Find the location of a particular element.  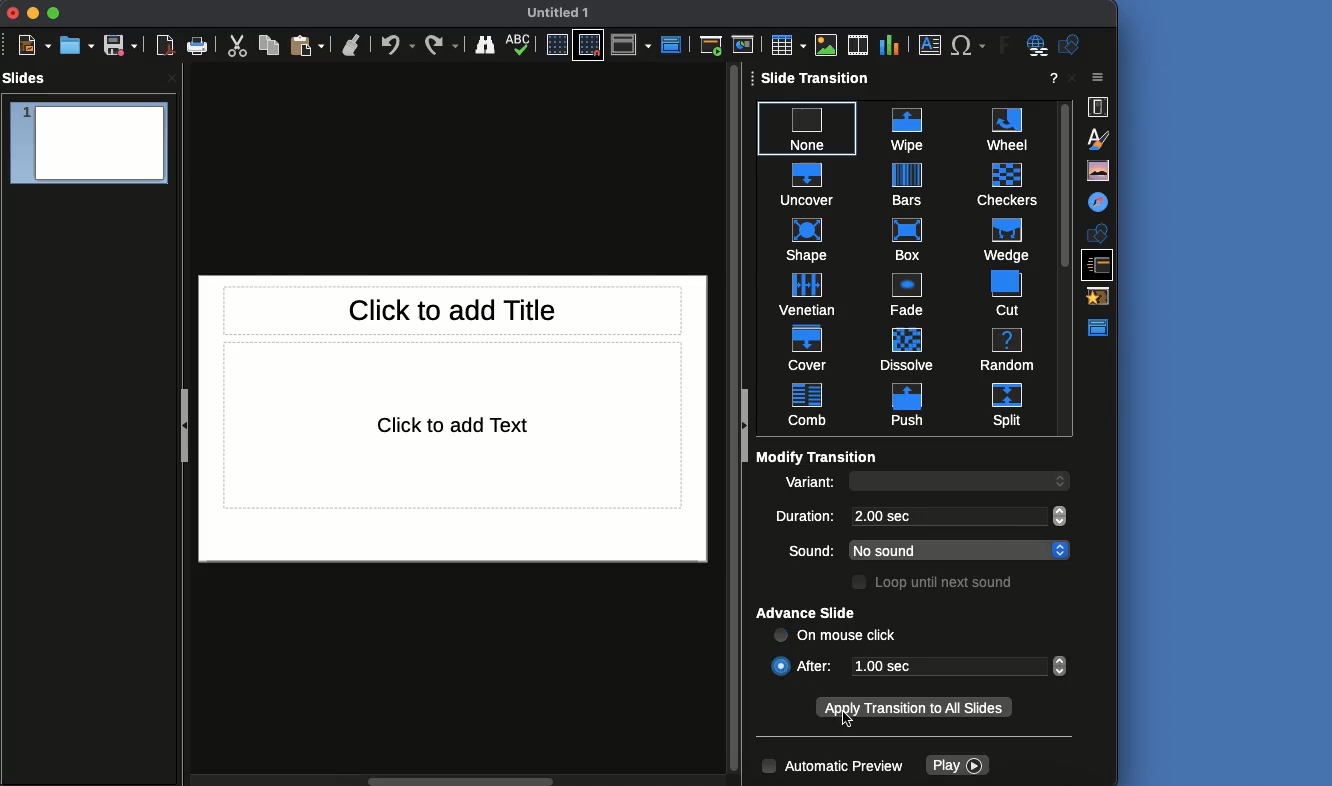

dissolve is located at coordinates (906, 346).